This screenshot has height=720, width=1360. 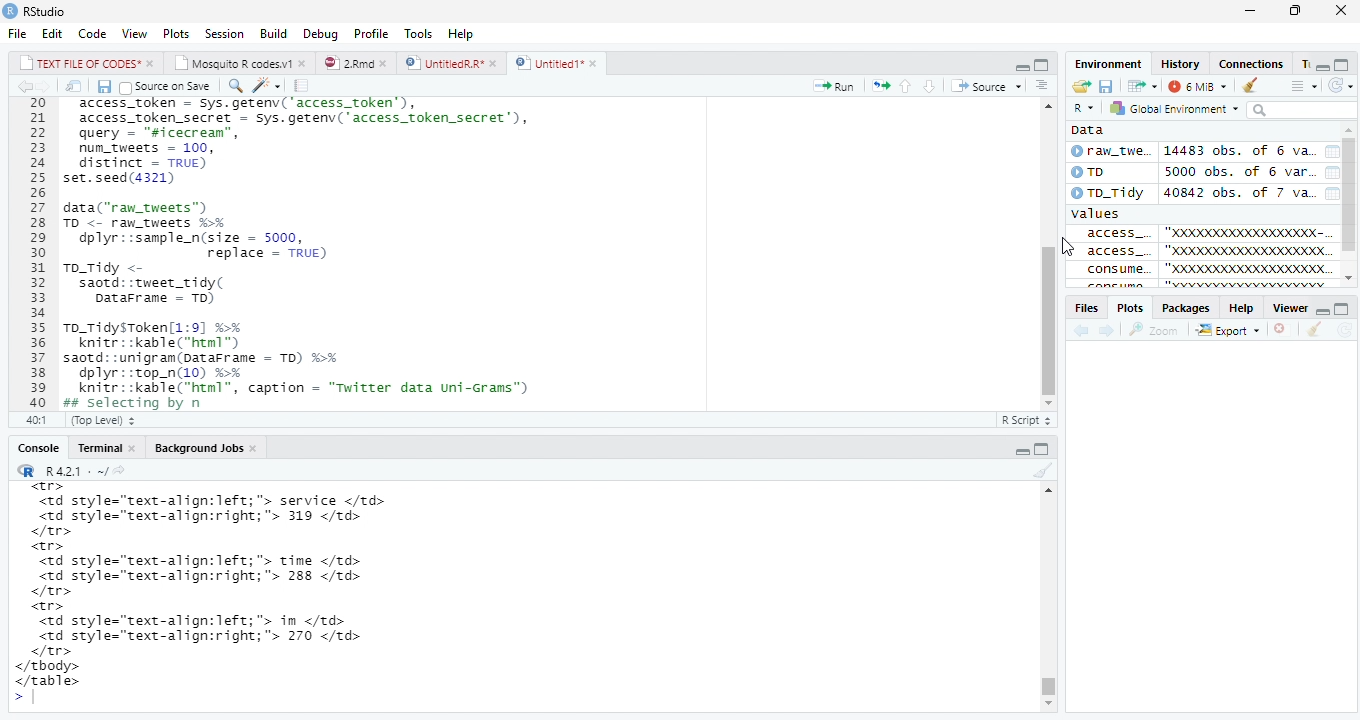 What do you see at coordinates (1183, 308) in the screenshot?
I see `Packages` at bounding box center [1183, 308].